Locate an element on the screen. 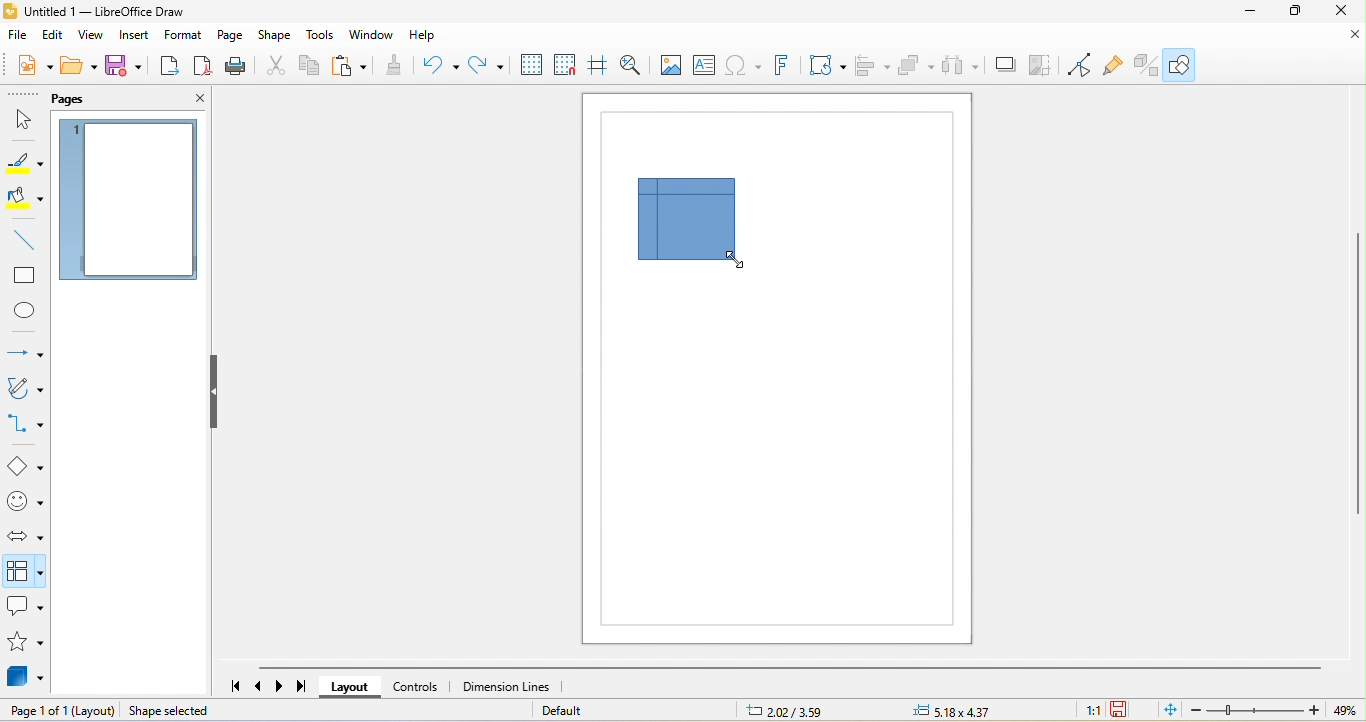  minimize is located at coordinates (1245, 14).